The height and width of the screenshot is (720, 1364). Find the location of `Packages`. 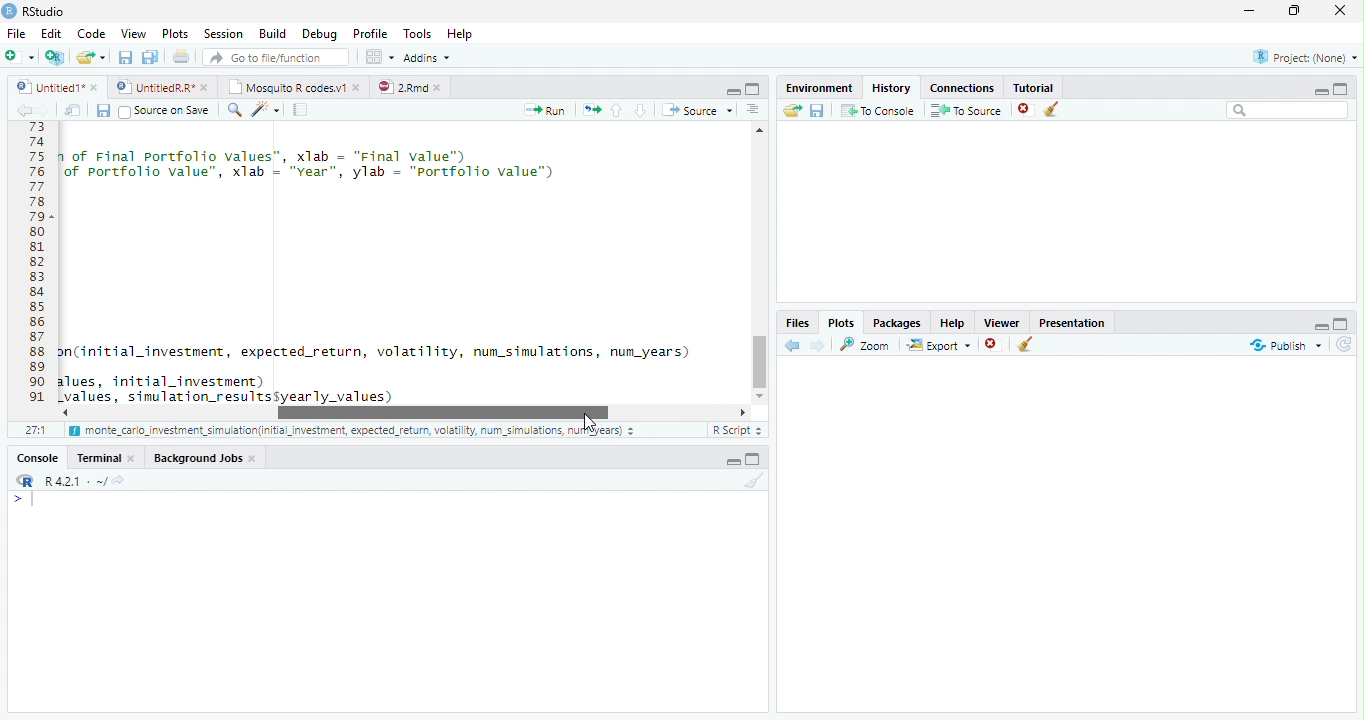

Packages is located at coordinates (896, 321).